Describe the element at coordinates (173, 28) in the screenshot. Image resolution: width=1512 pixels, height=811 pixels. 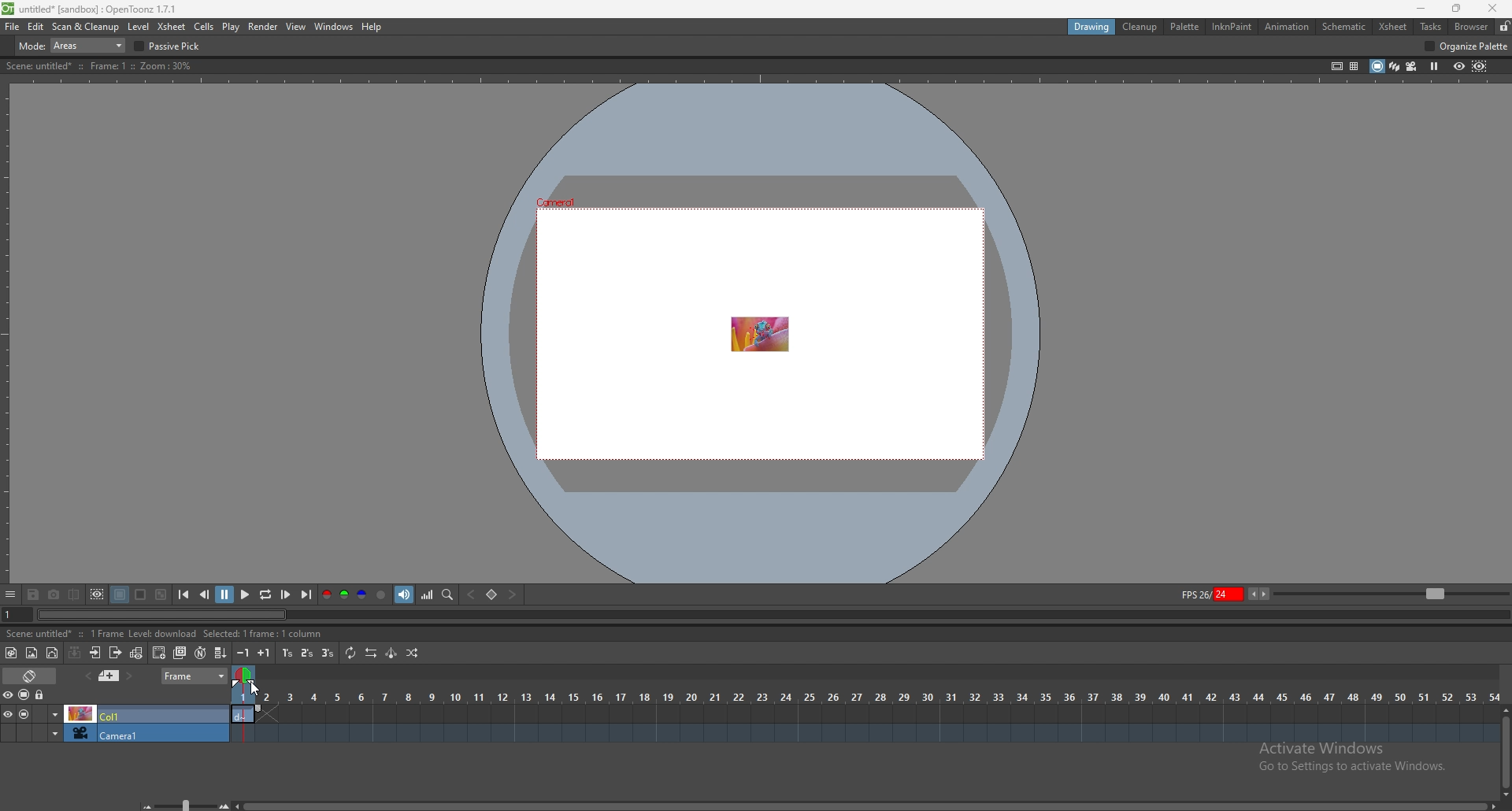
I see `xsheet` at that location.